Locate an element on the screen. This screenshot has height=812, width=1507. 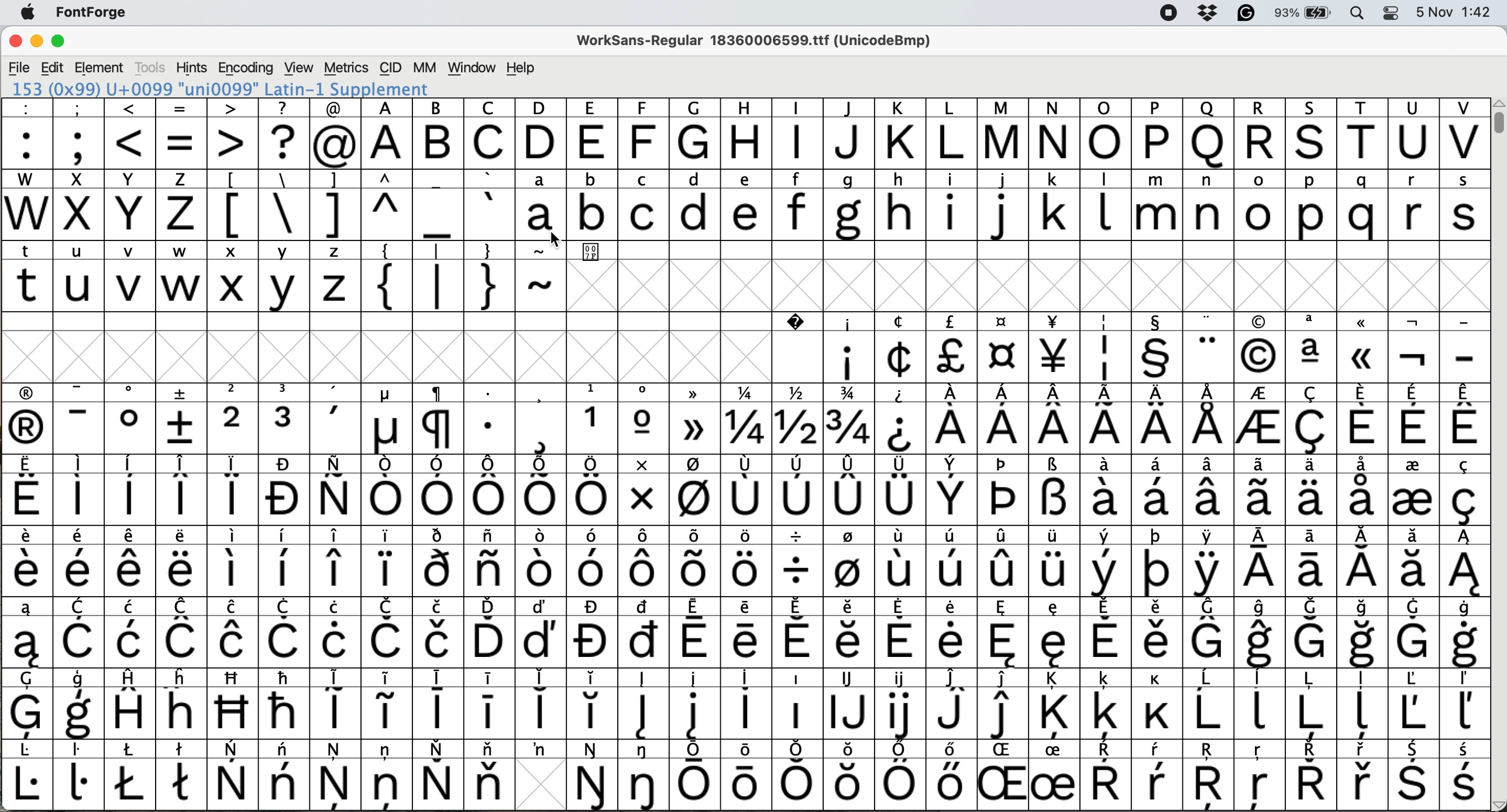
v is located at coordinates (130, 278).